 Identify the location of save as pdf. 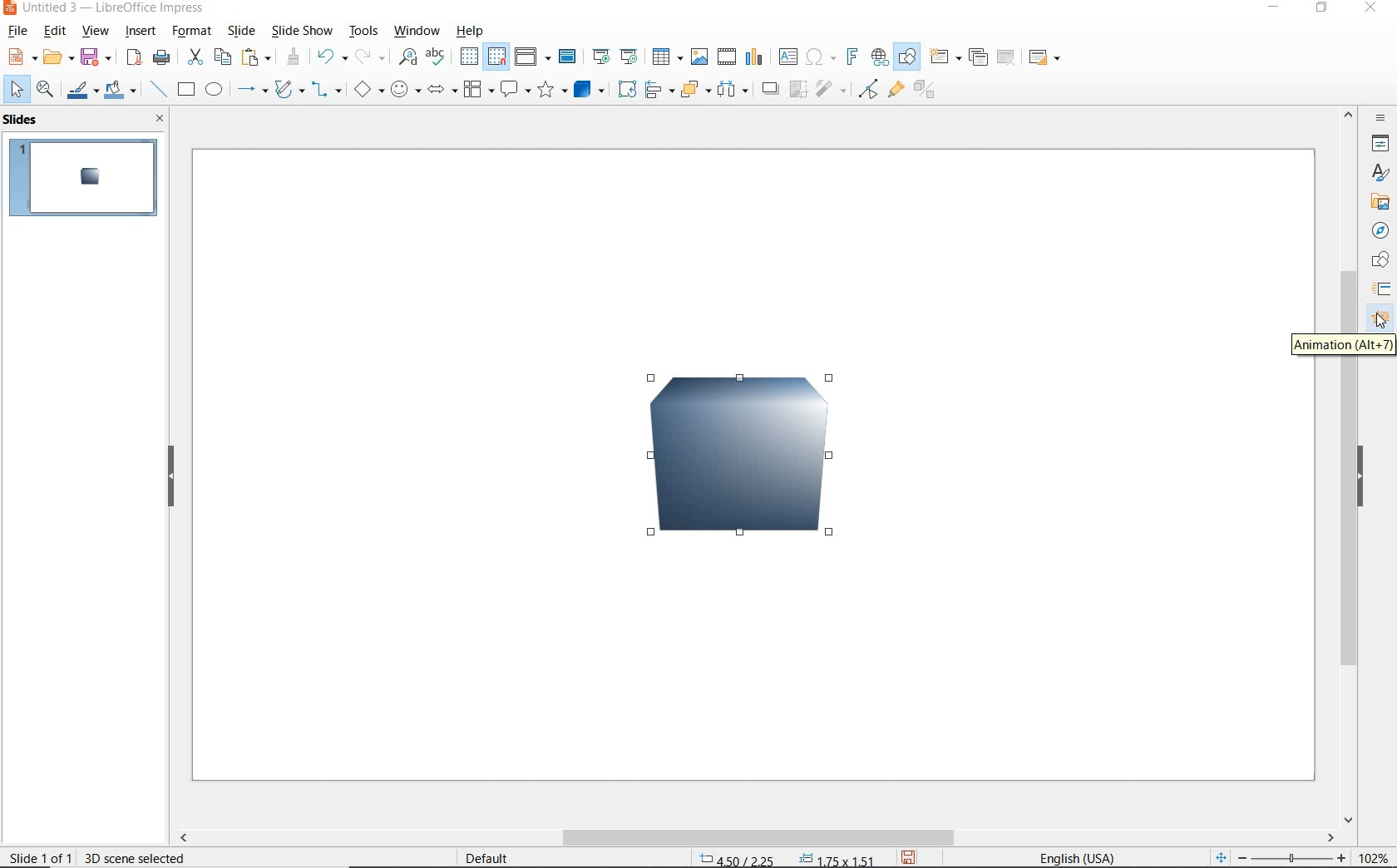
(132, 57).